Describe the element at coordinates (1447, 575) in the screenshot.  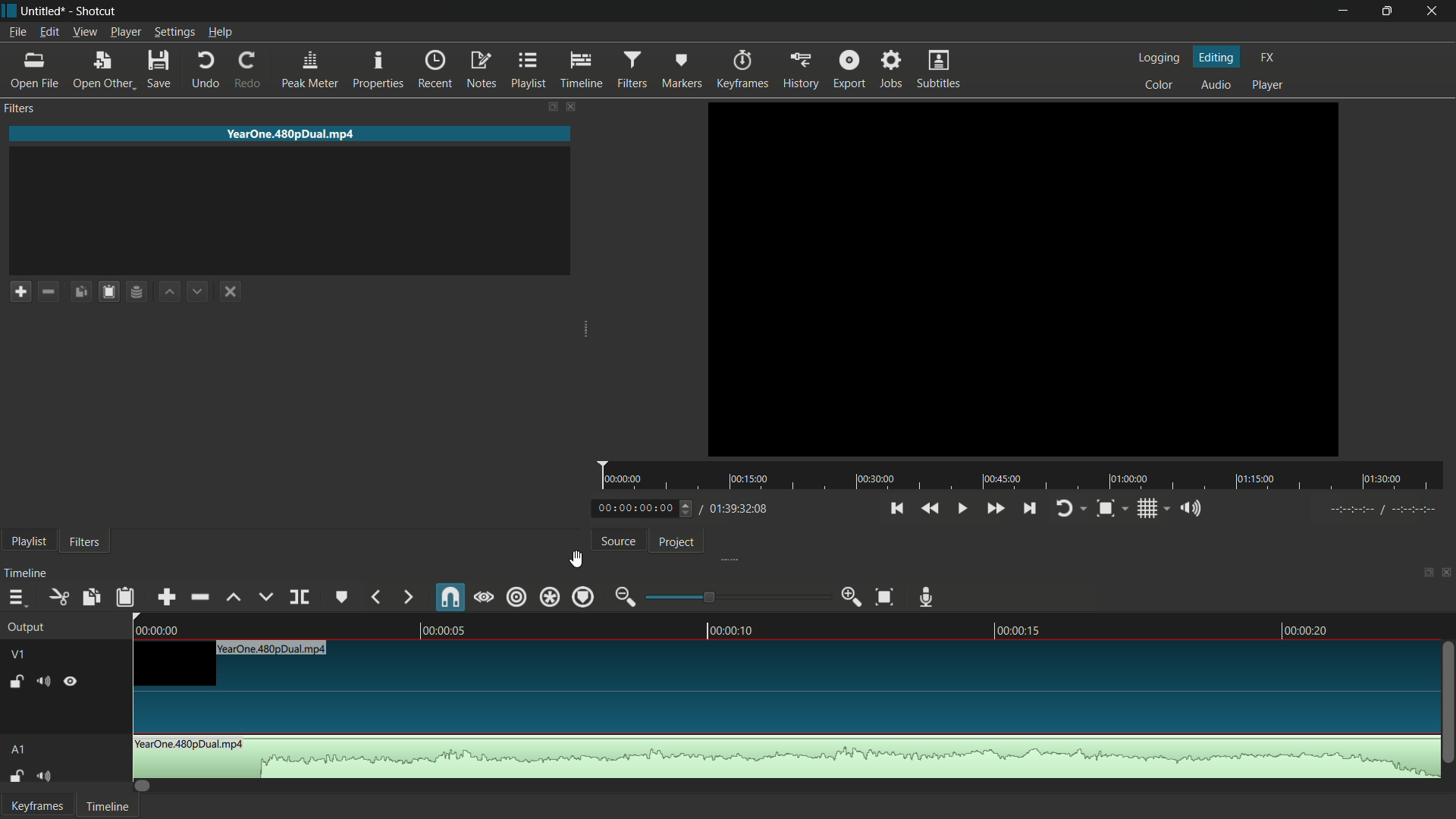
I see `close timeline` at that location.